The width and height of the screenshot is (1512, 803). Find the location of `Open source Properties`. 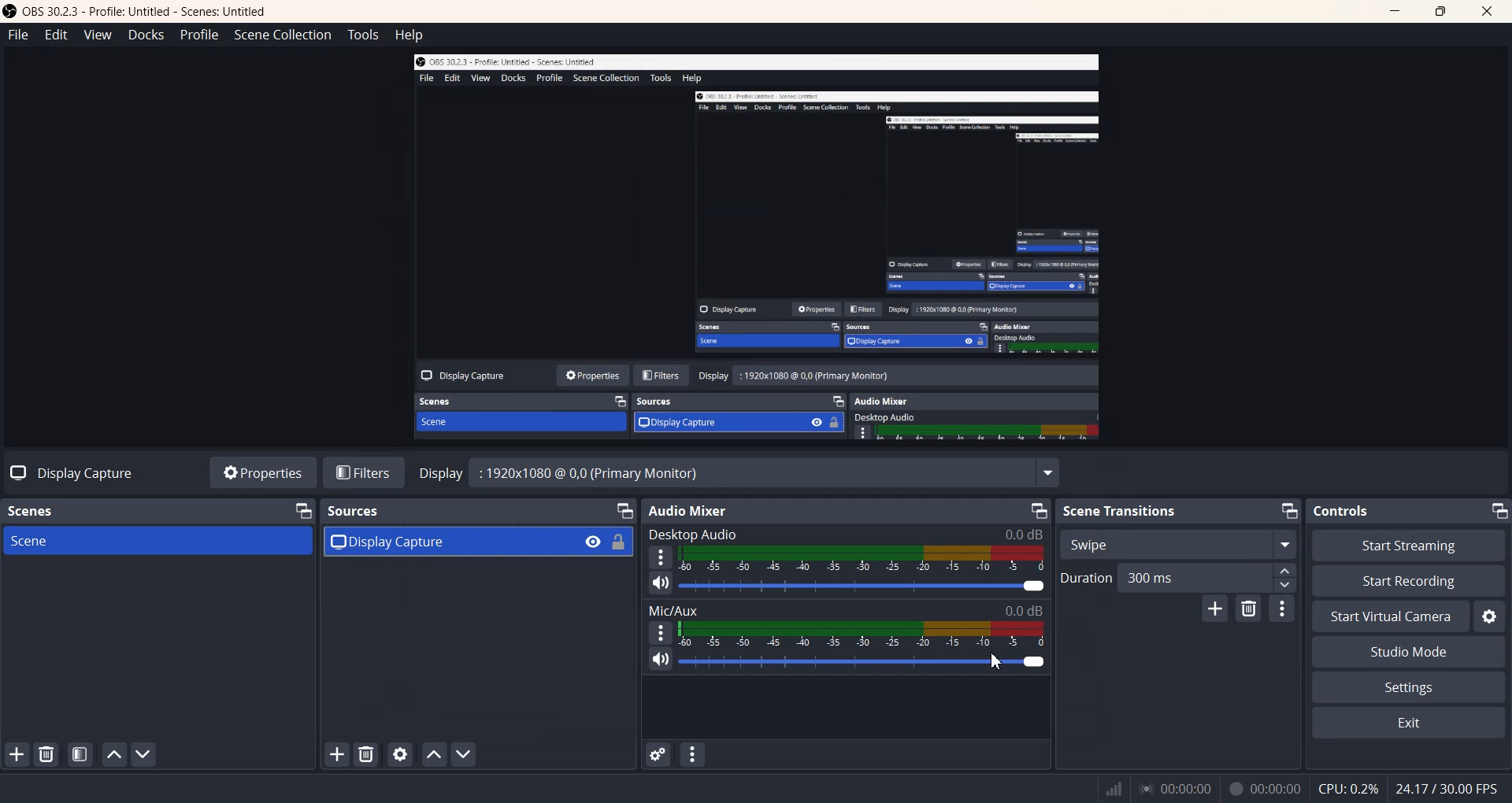

Open source Properties is located at coordinates (400, 753).